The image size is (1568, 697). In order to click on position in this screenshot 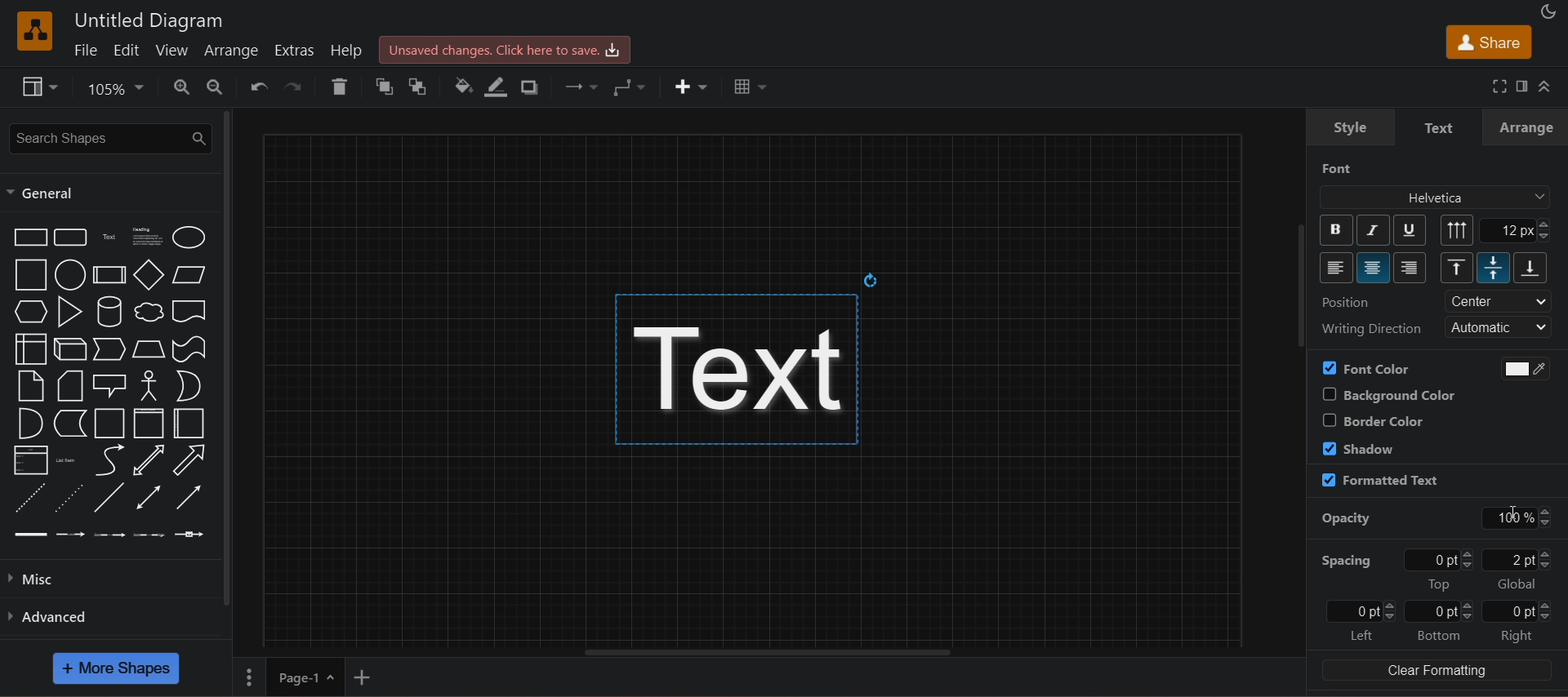, I will do `click(1347, 302)`.